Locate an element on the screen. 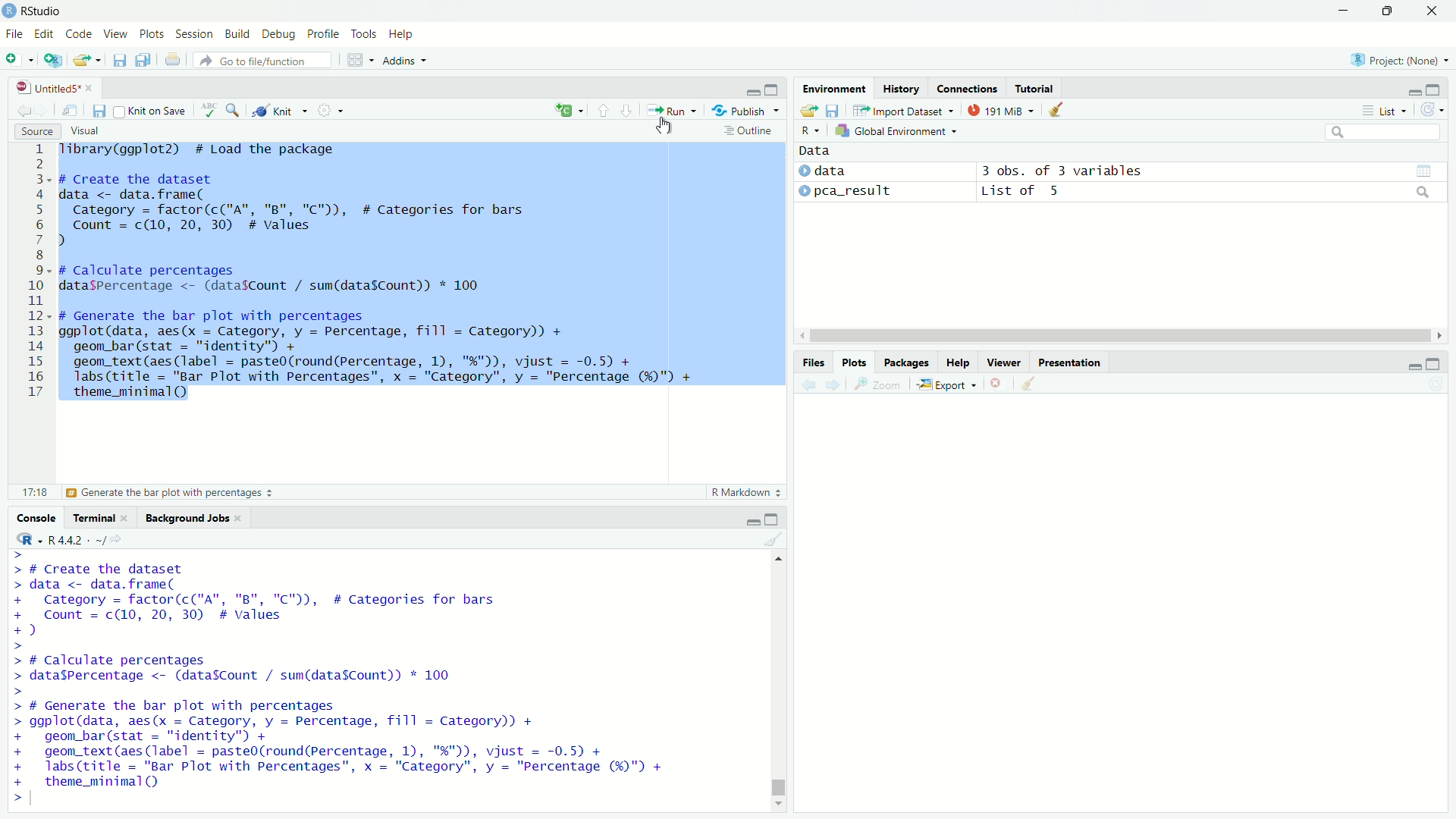 This screenshot has height=819, width=1456. tools is located at coordinates (365, 35).